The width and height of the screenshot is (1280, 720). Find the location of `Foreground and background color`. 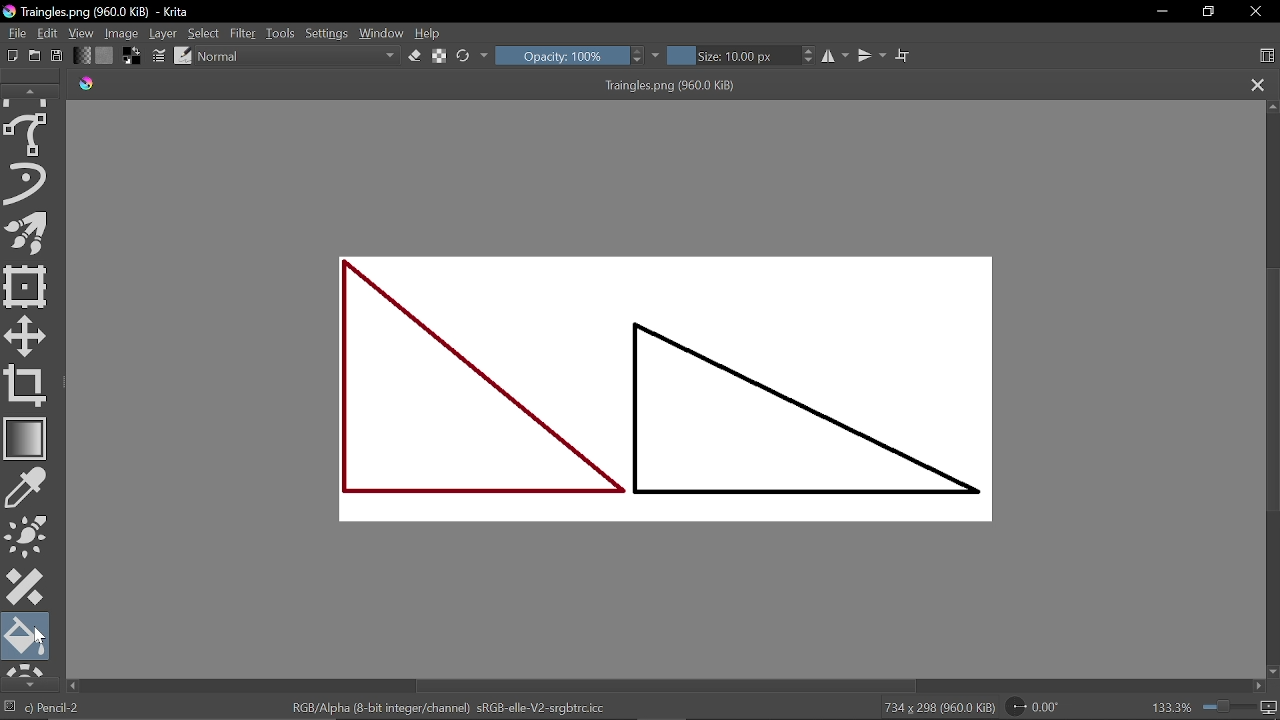

Foreground and background color is located at coordinates (133, 57).